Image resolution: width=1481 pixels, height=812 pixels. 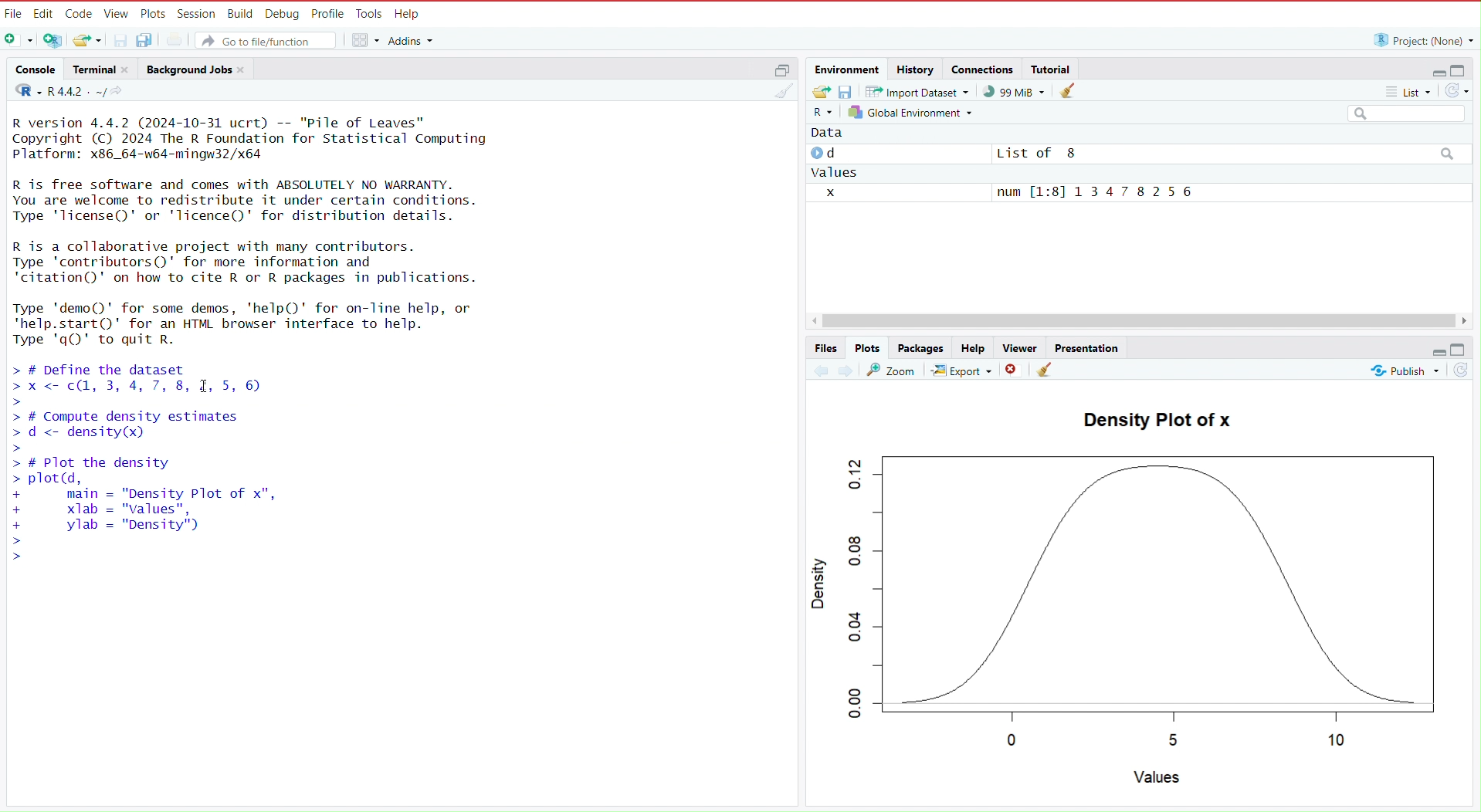 What do you see at coordinates (815, 580) in the screenshot?
I see `density` at bounding box center [815, 580].